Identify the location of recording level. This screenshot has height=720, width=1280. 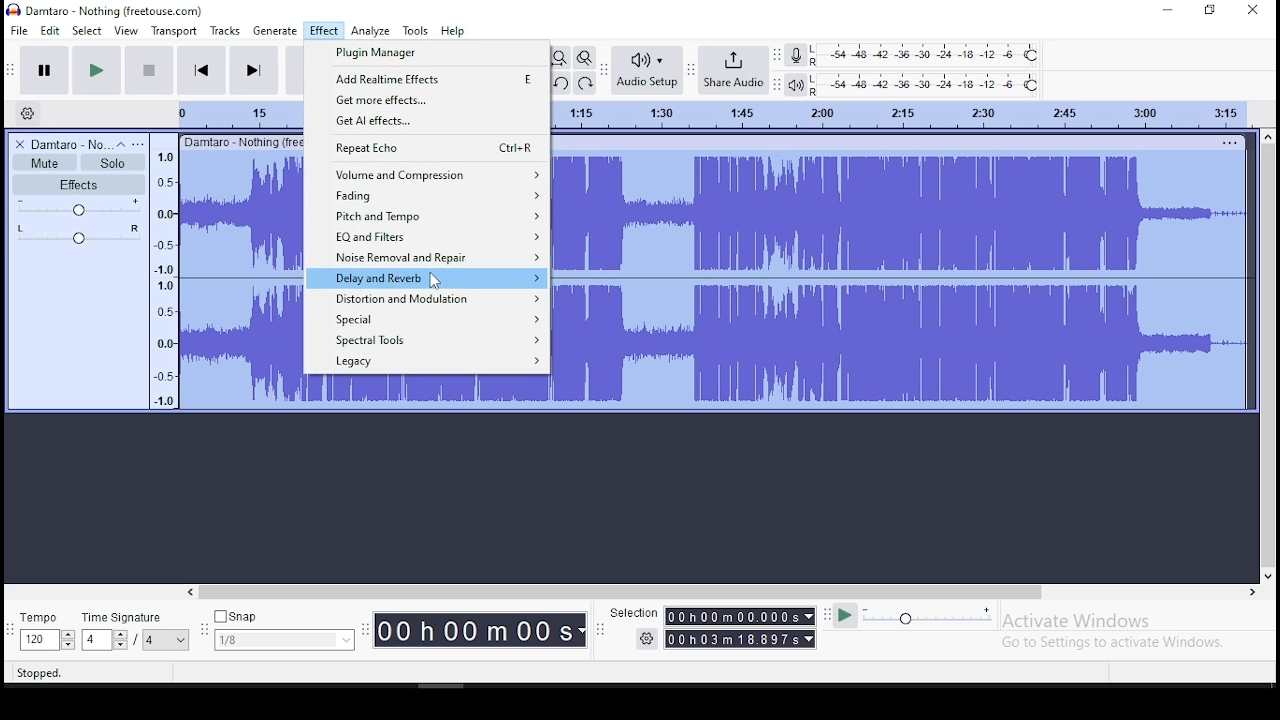
(925, 55).